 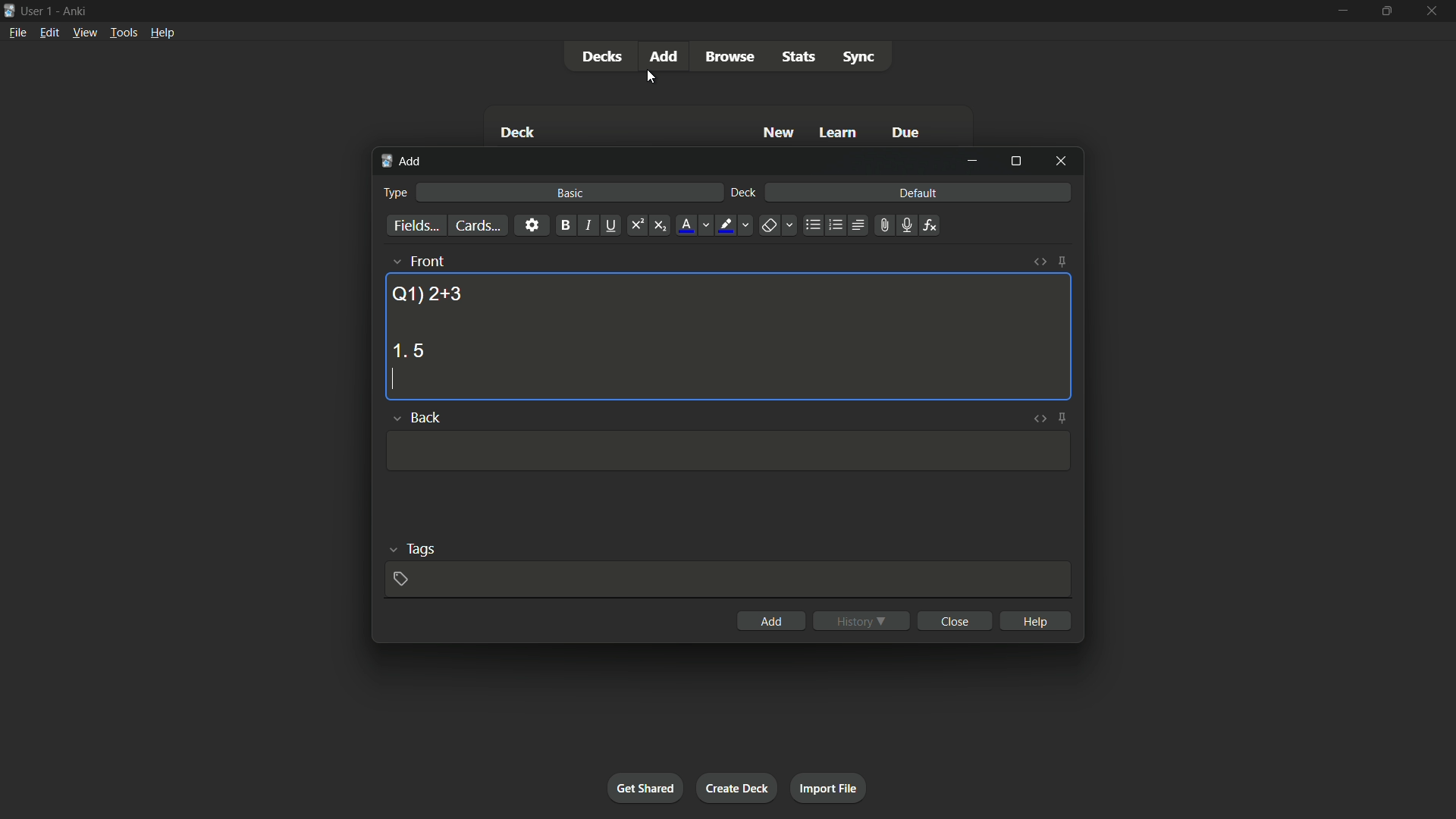 What do you see at coordinates (403, 162) in the screenshot?
I see `add` at bounding box center [403, 162].